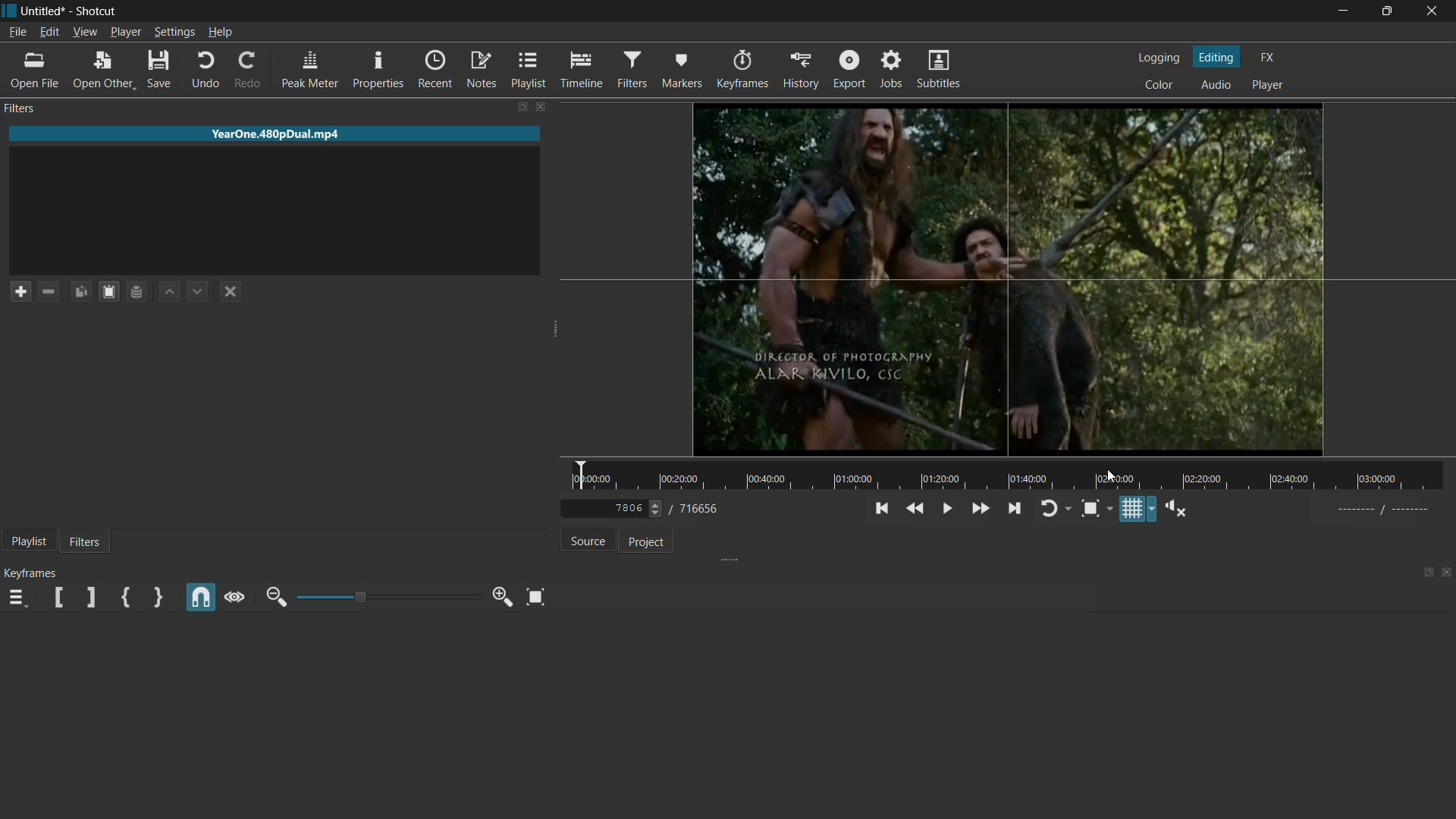 The image size is (1456, 819). What do you see at coordinates (523, 108) in the screenshot?
I see `change layout` at bounding box center [523, 108].